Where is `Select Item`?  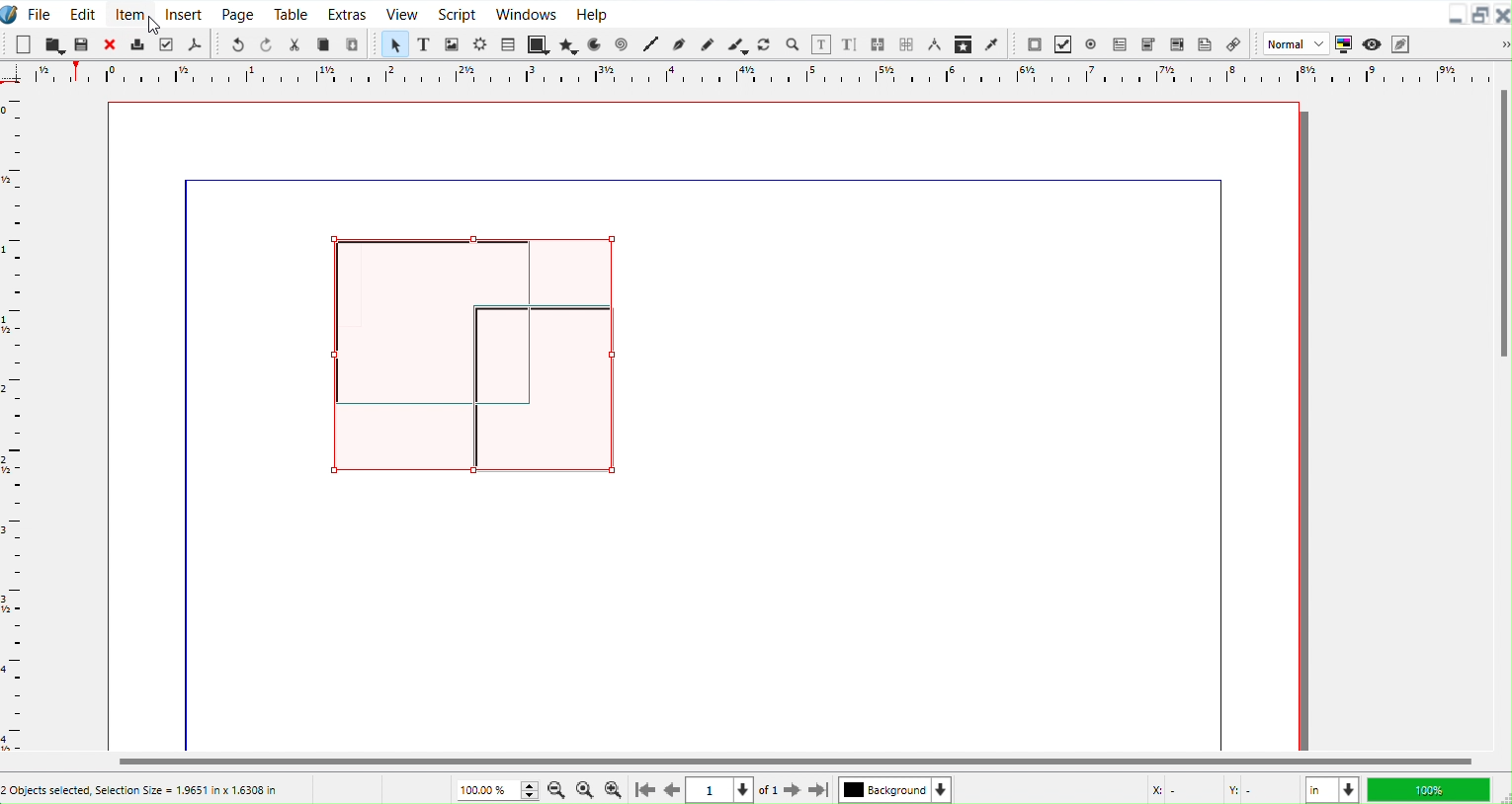
Select Item is located at coordinates (395, 44).